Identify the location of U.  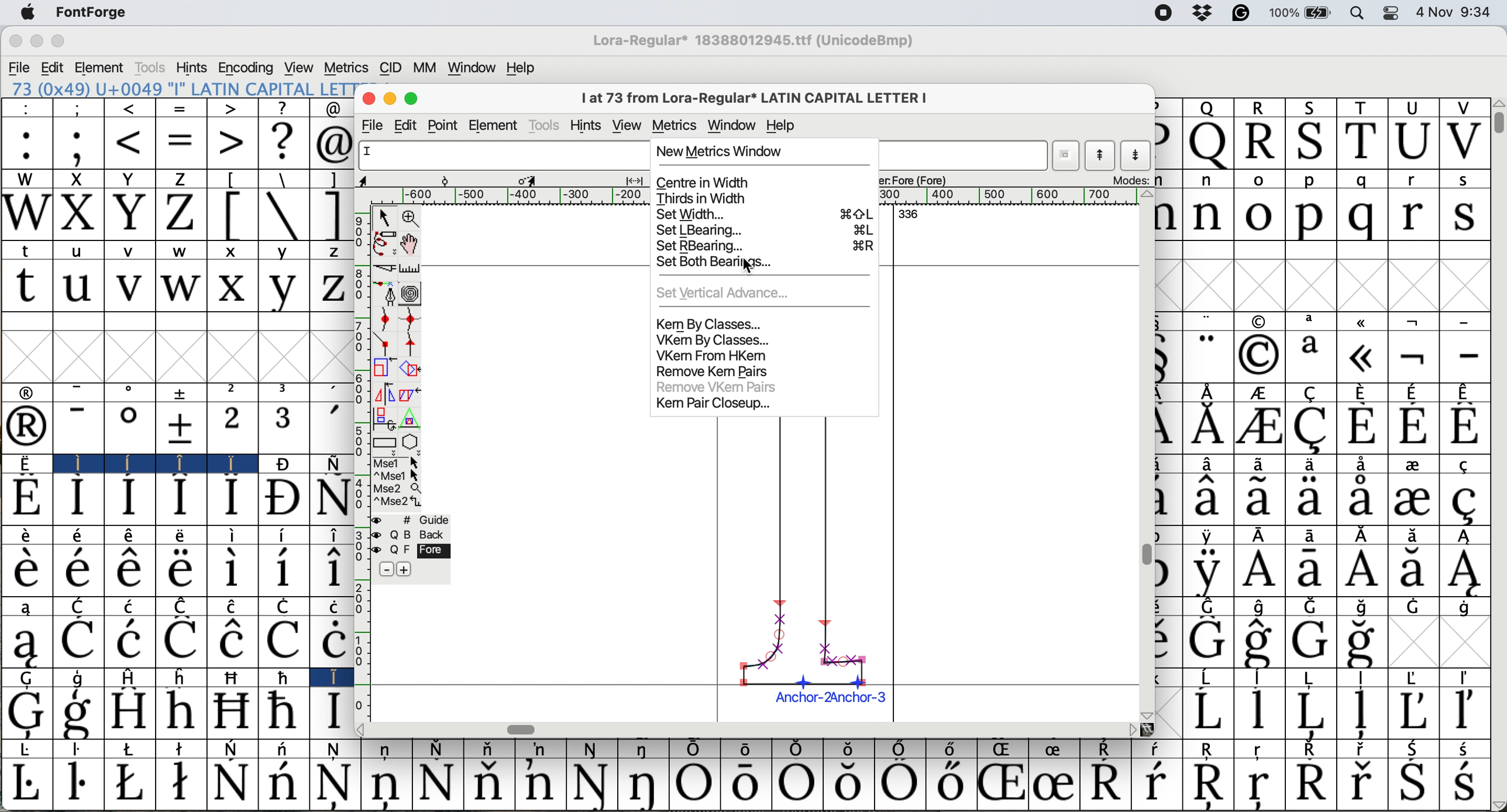
(1411, 144).